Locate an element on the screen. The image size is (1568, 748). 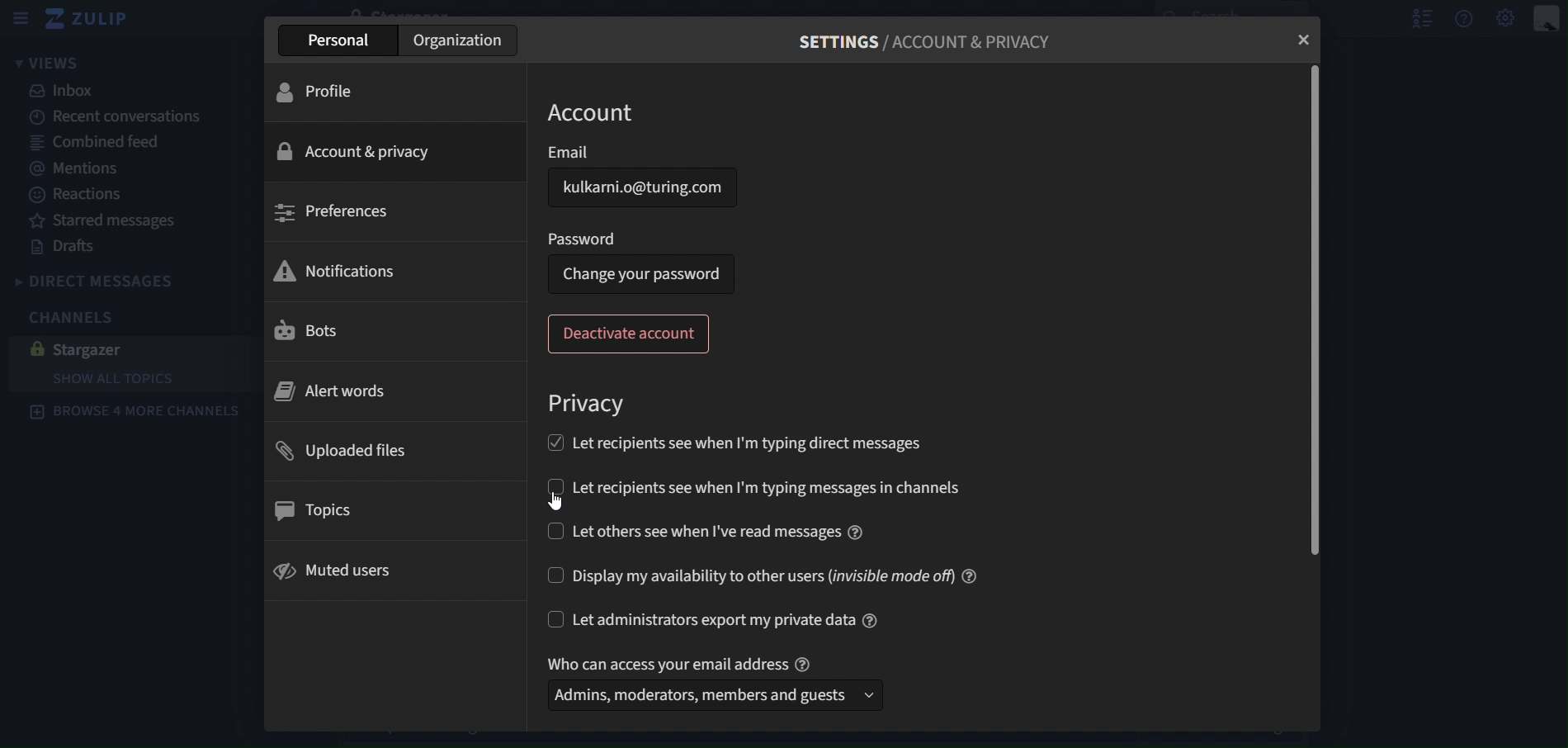
privacy is located at coordinates (587, 404).